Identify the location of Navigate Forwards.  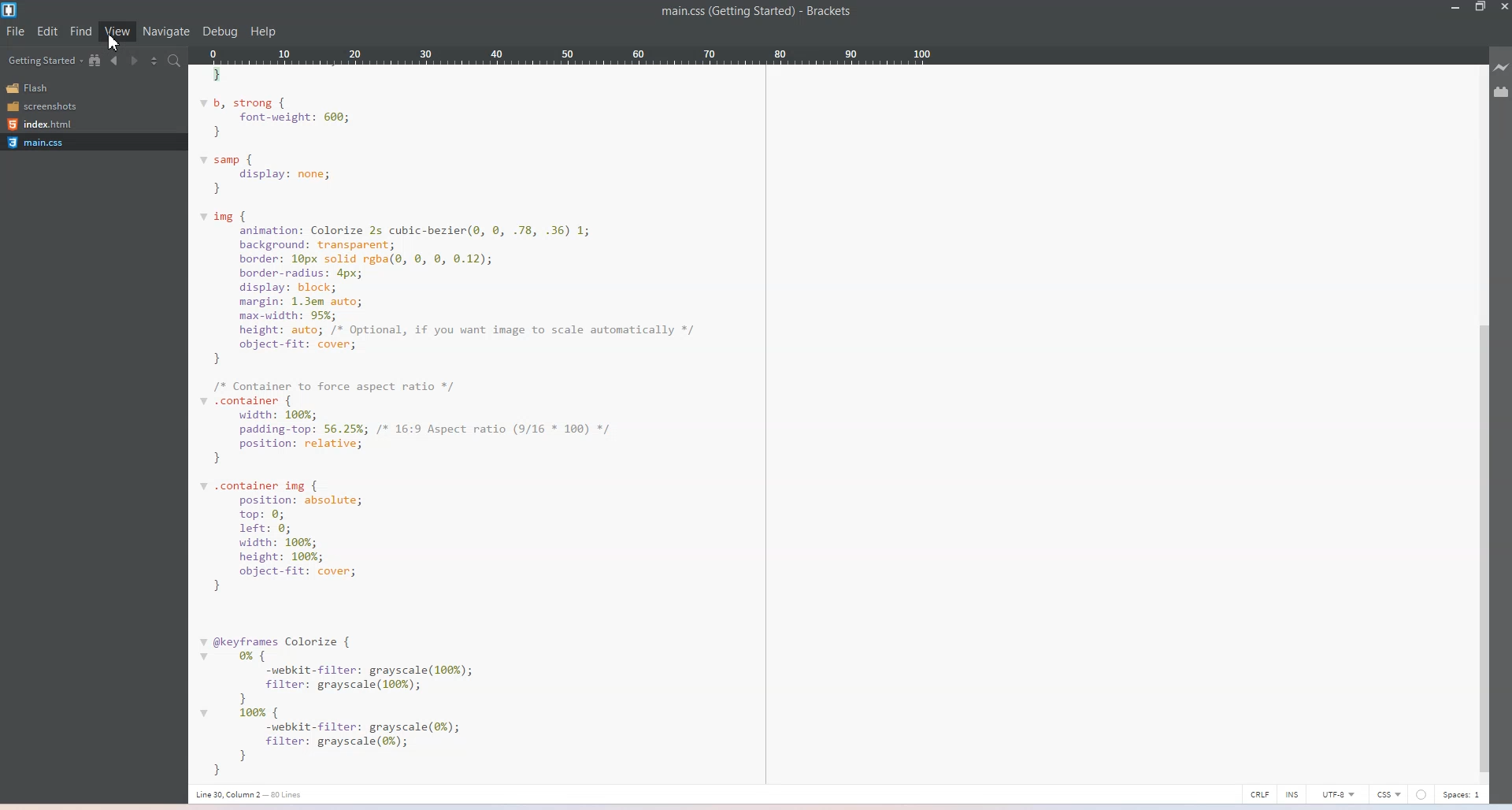
(135, 59).